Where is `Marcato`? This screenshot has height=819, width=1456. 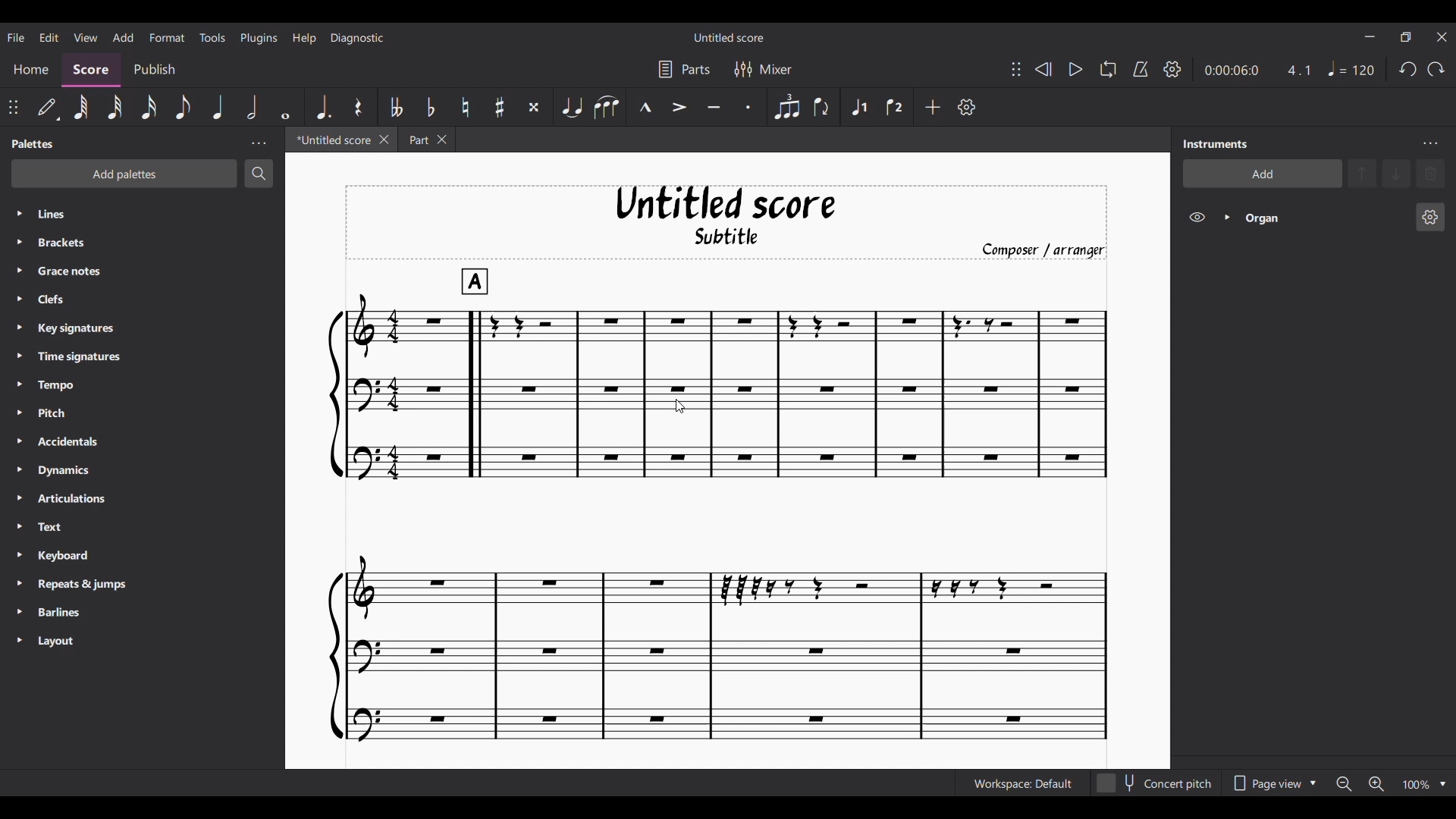
Marcato is located at coordinates (645, 107).